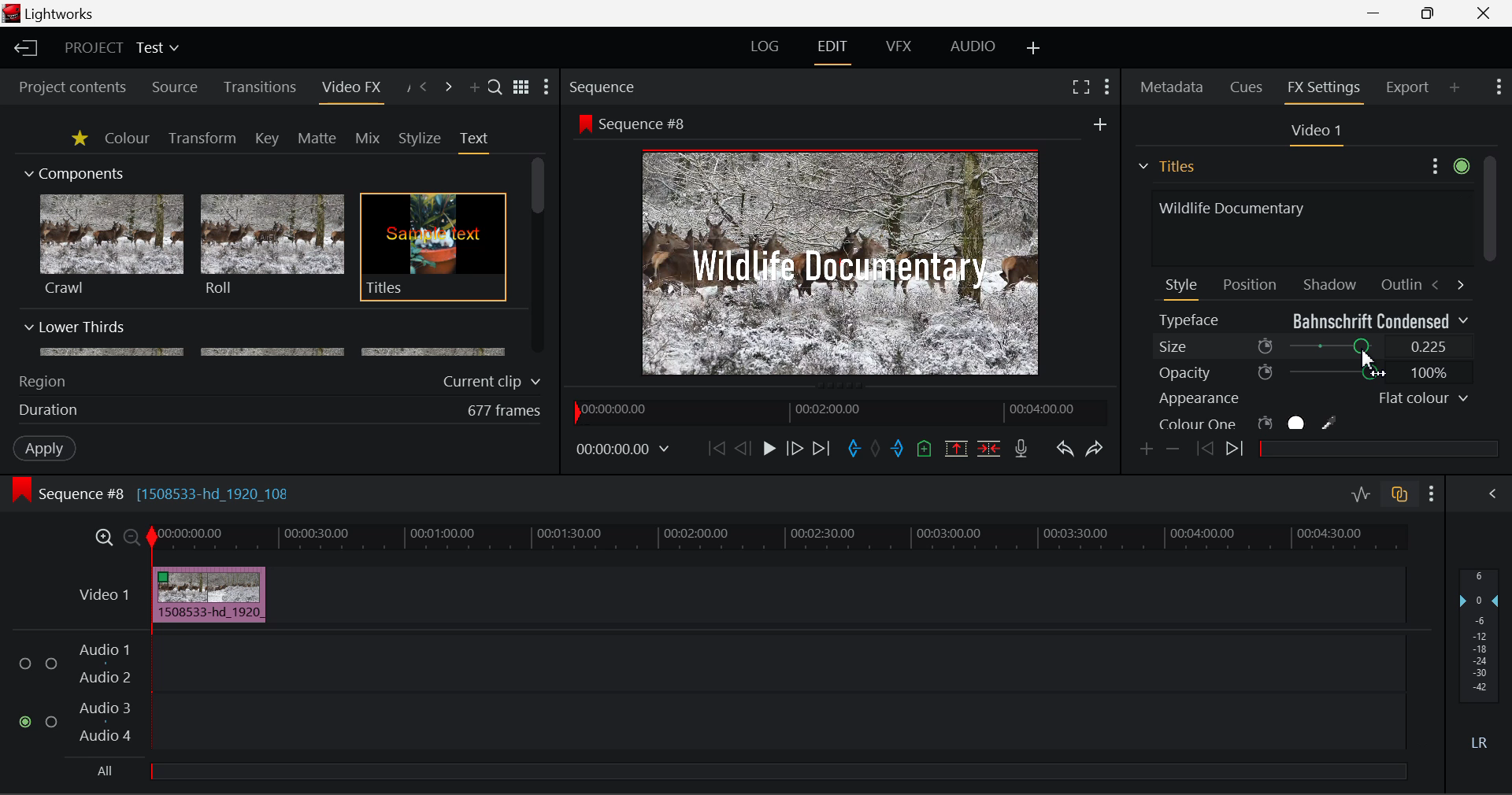 This screenshot has width=1512, height=795. I want to click on Toggle auto track sync, so click(1403, 494).